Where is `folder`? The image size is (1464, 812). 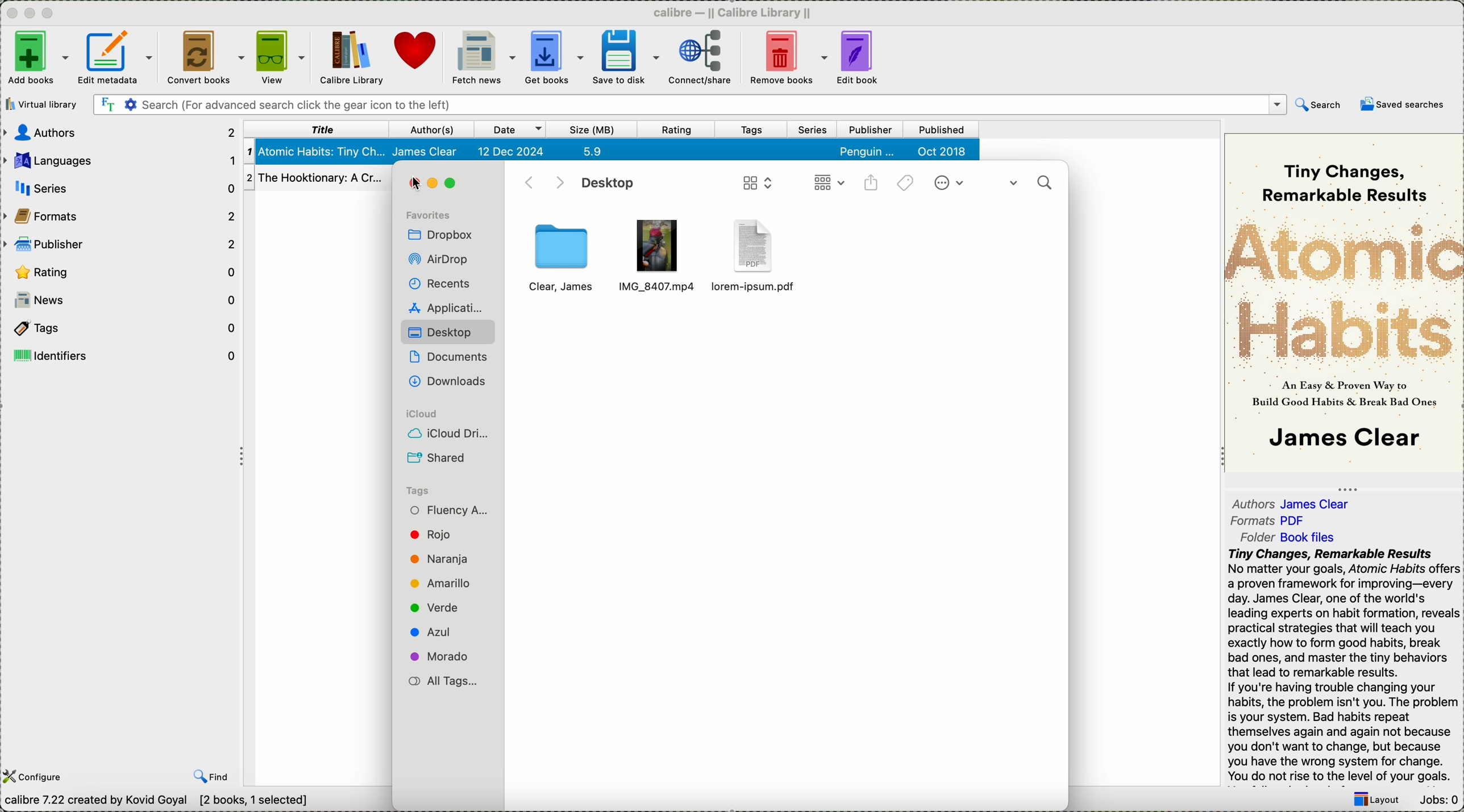
folder is located at coordinates (561, 260).